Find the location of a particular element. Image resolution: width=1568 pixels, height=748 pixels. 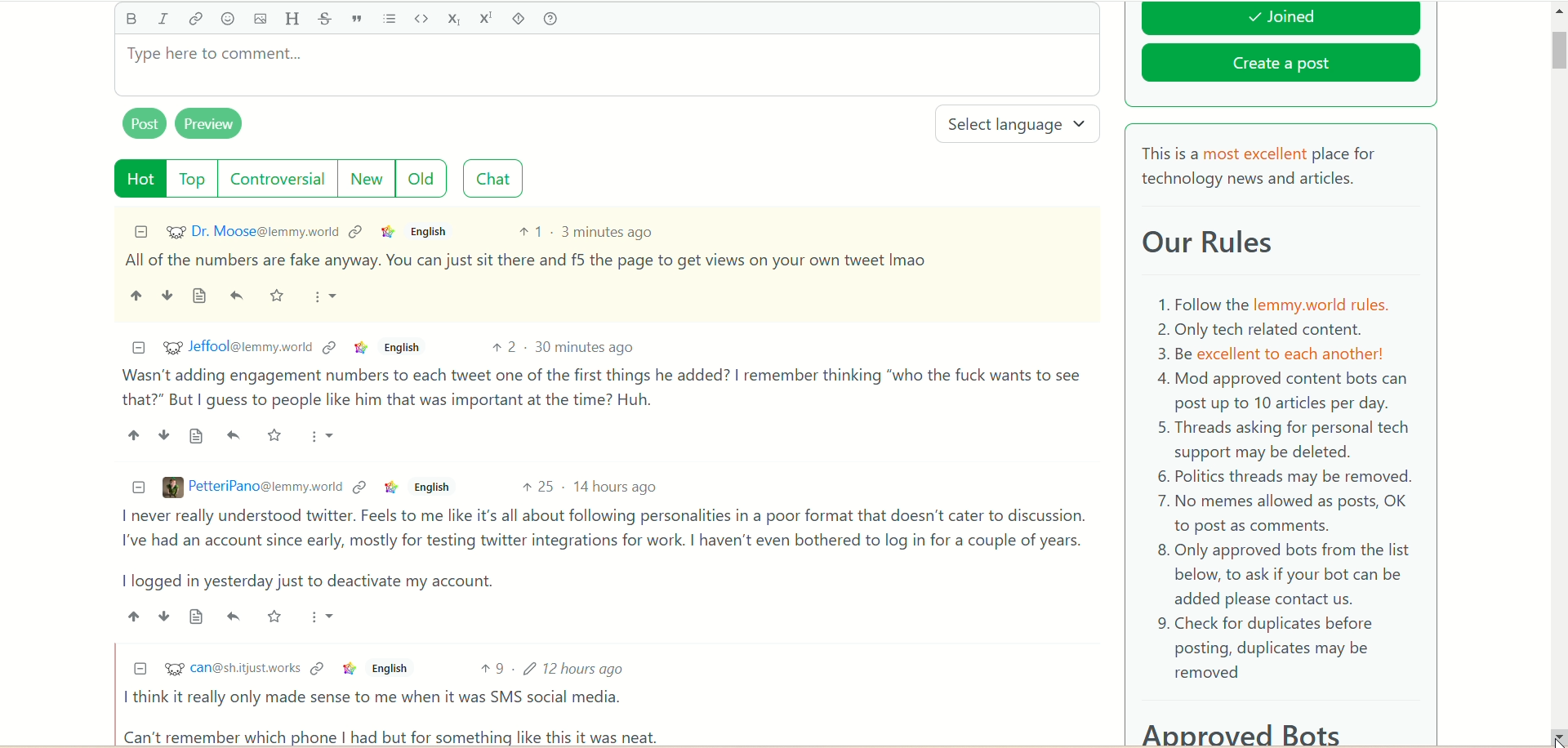

Share is located at coordinates (239, 296).